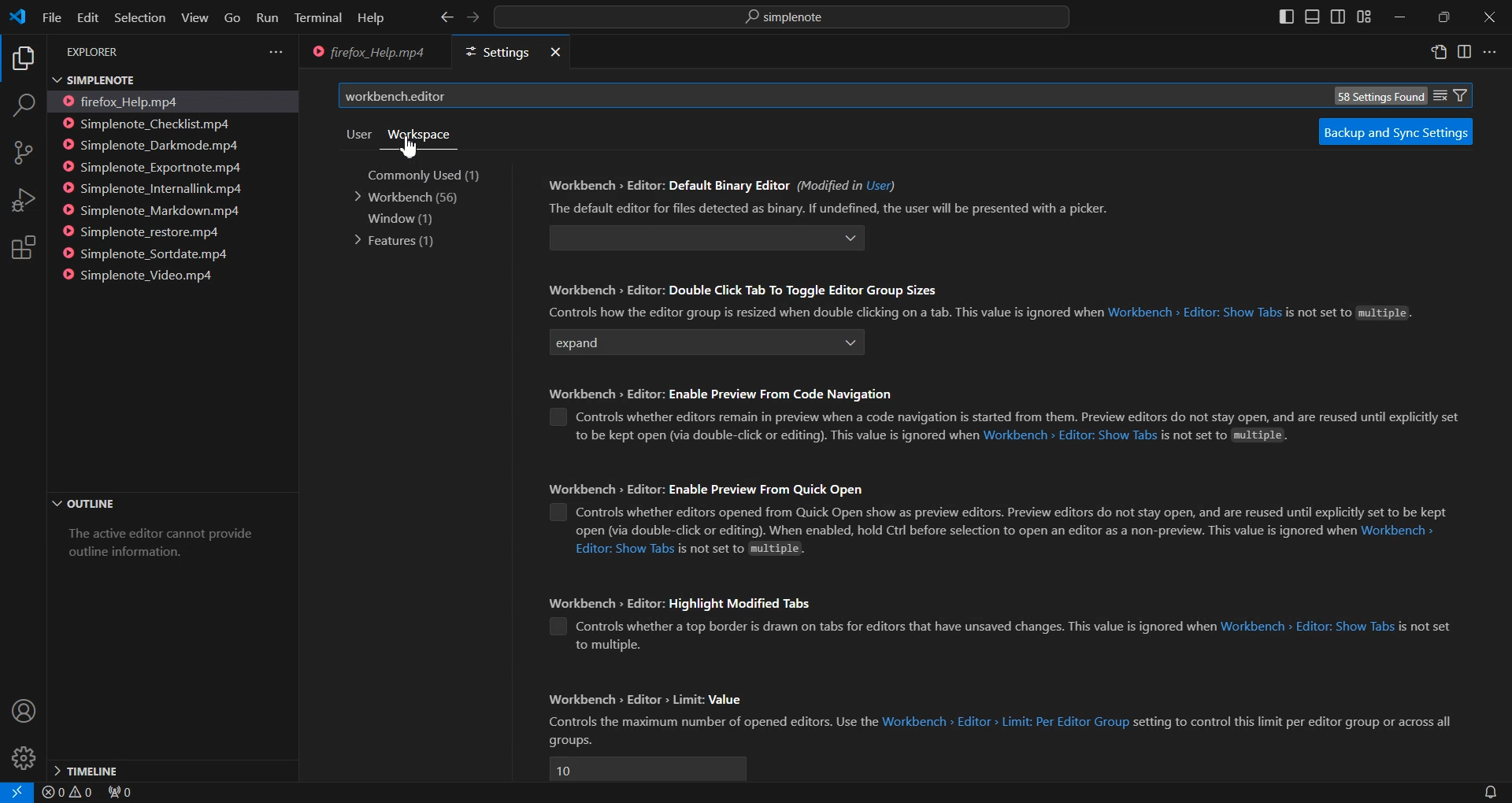  Describe the element at coordinates (139, 17) in the screenshot. I see `Selection` at that location.